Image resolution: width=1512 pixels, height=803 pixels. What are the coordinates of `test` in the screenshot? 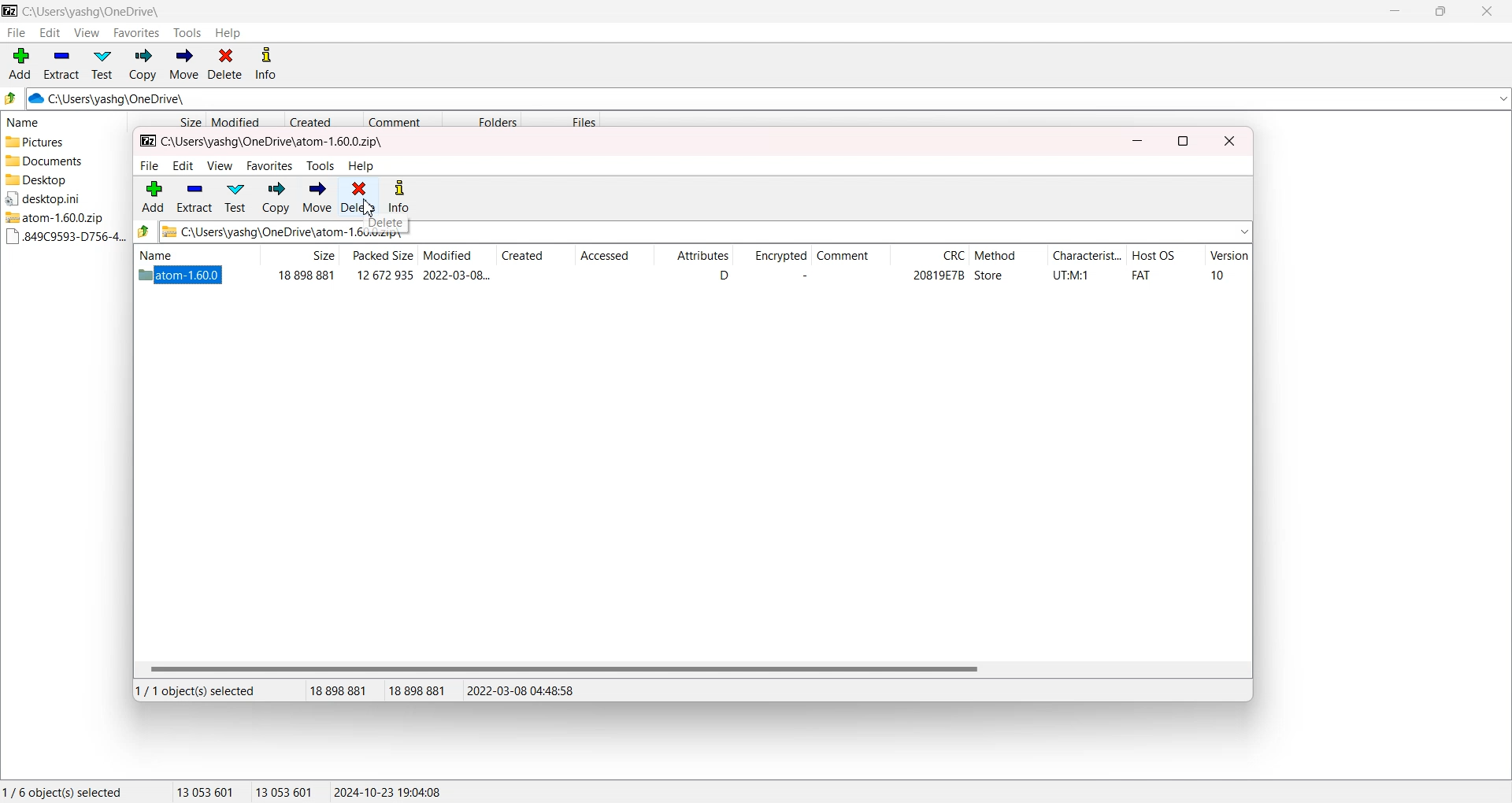 It's located at (235, 198).